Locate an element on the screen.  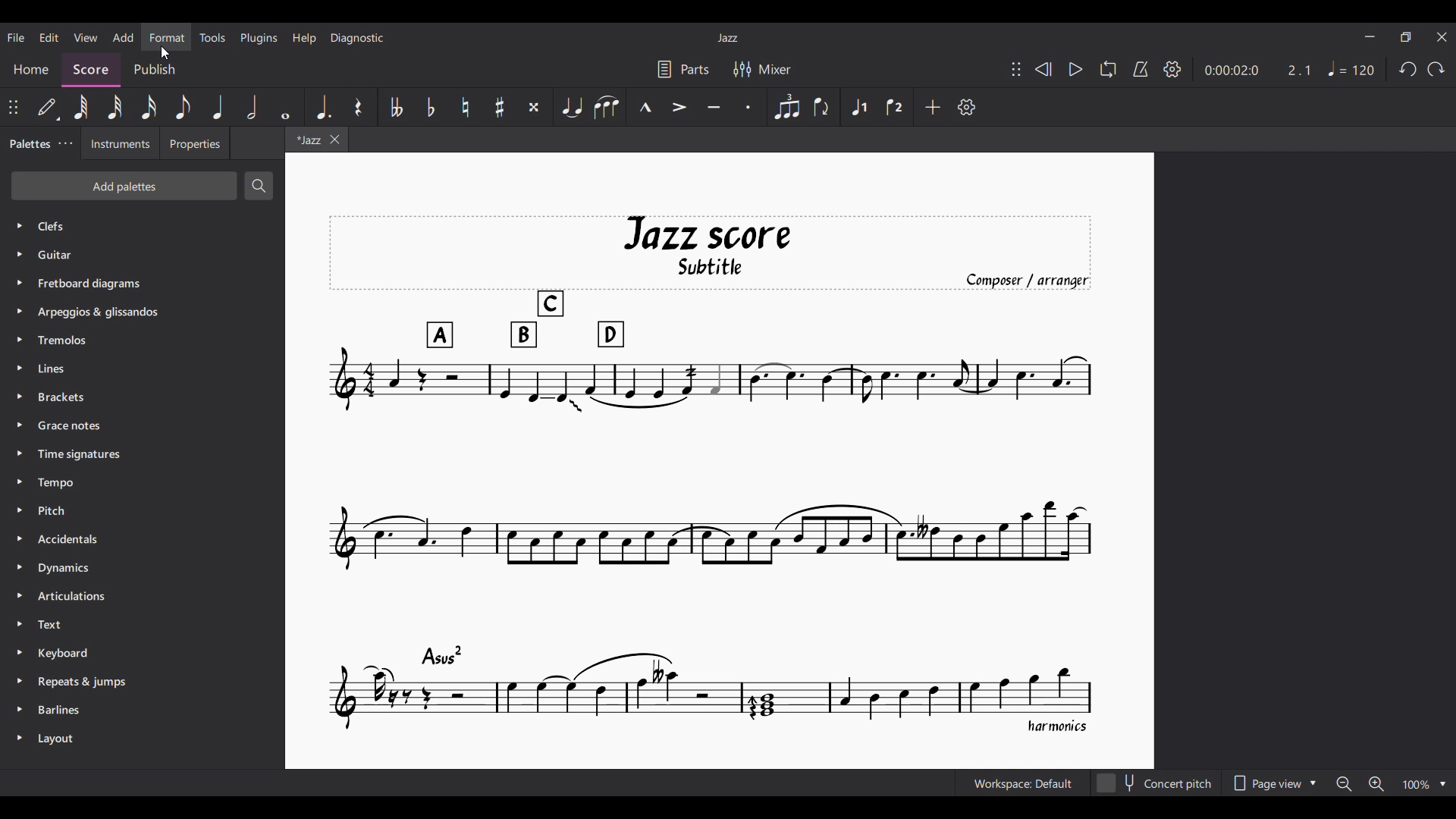
Help menu is located at coordinates (304, 38).